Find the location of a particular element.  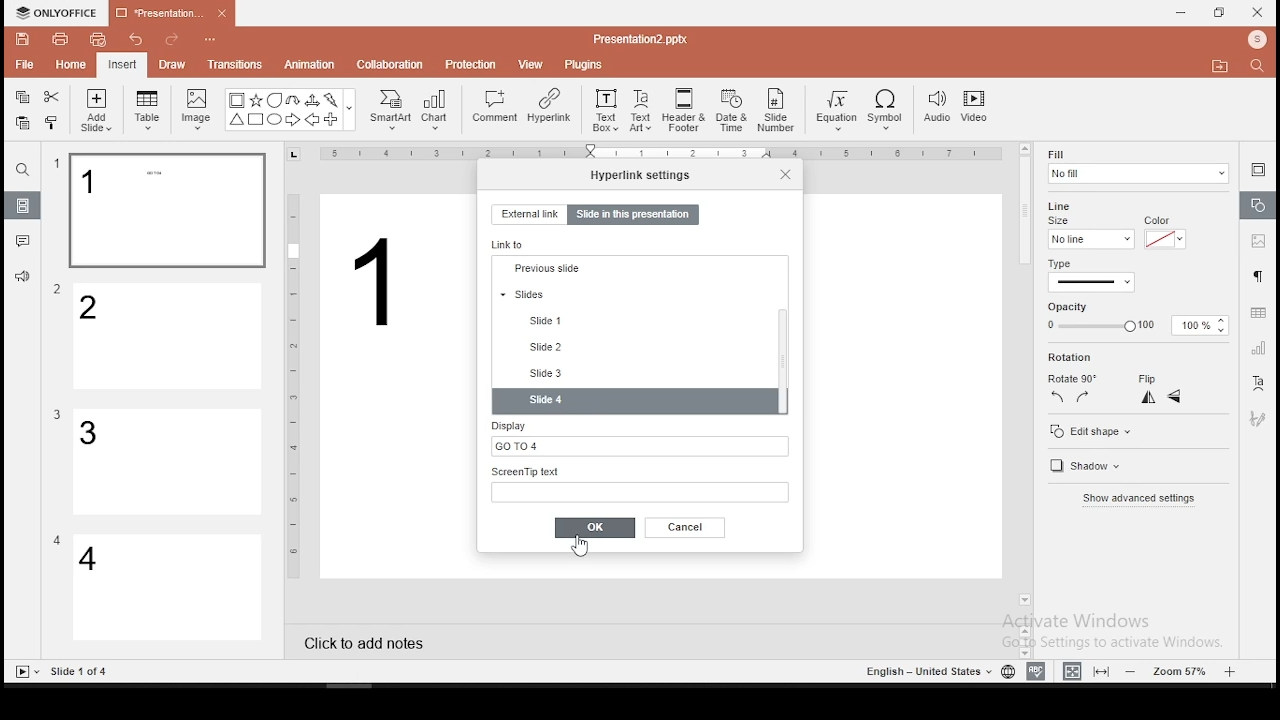

Slide is located at coordinates (23, 672).